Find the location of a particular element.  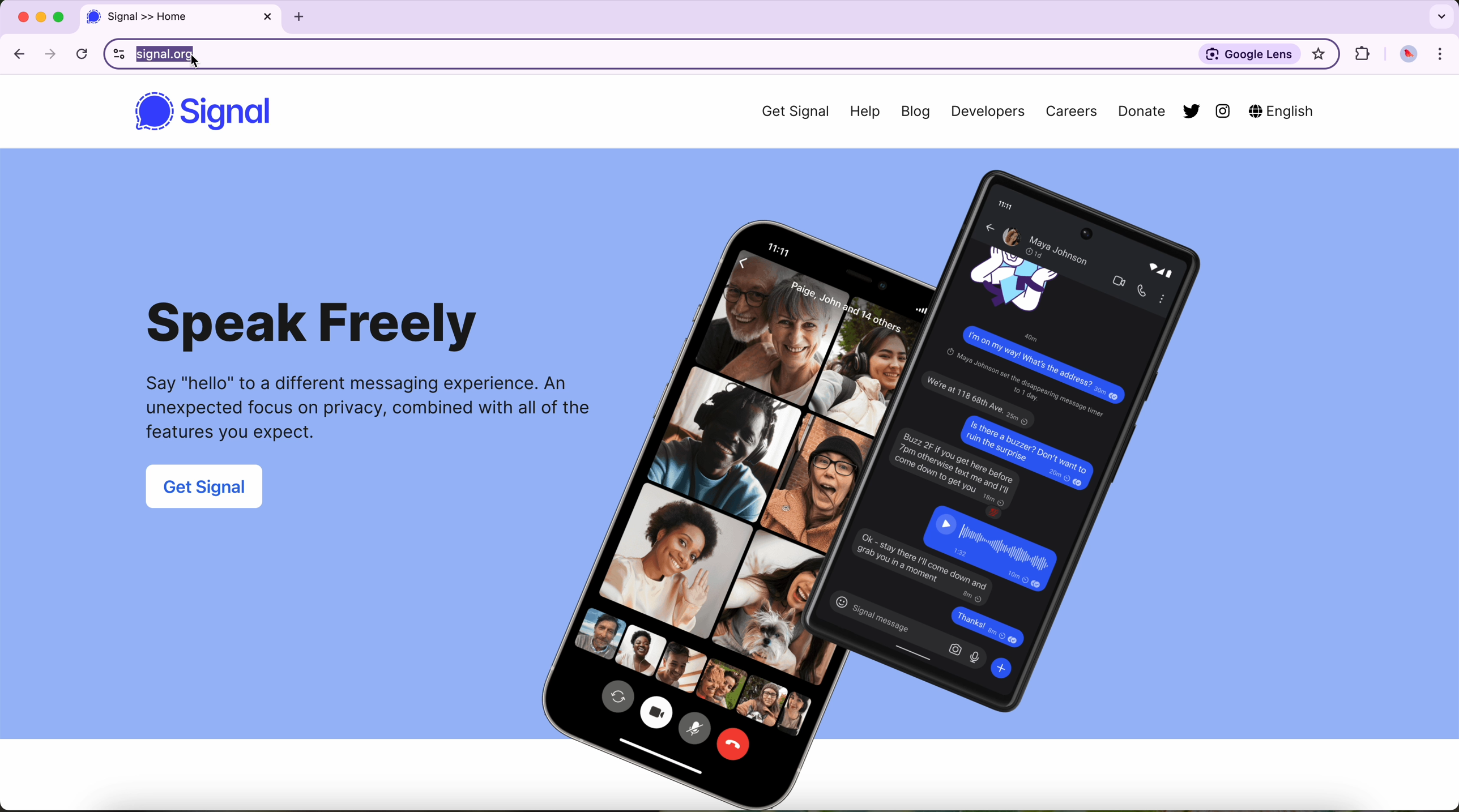

Signal is located at coordinates (233, 115).